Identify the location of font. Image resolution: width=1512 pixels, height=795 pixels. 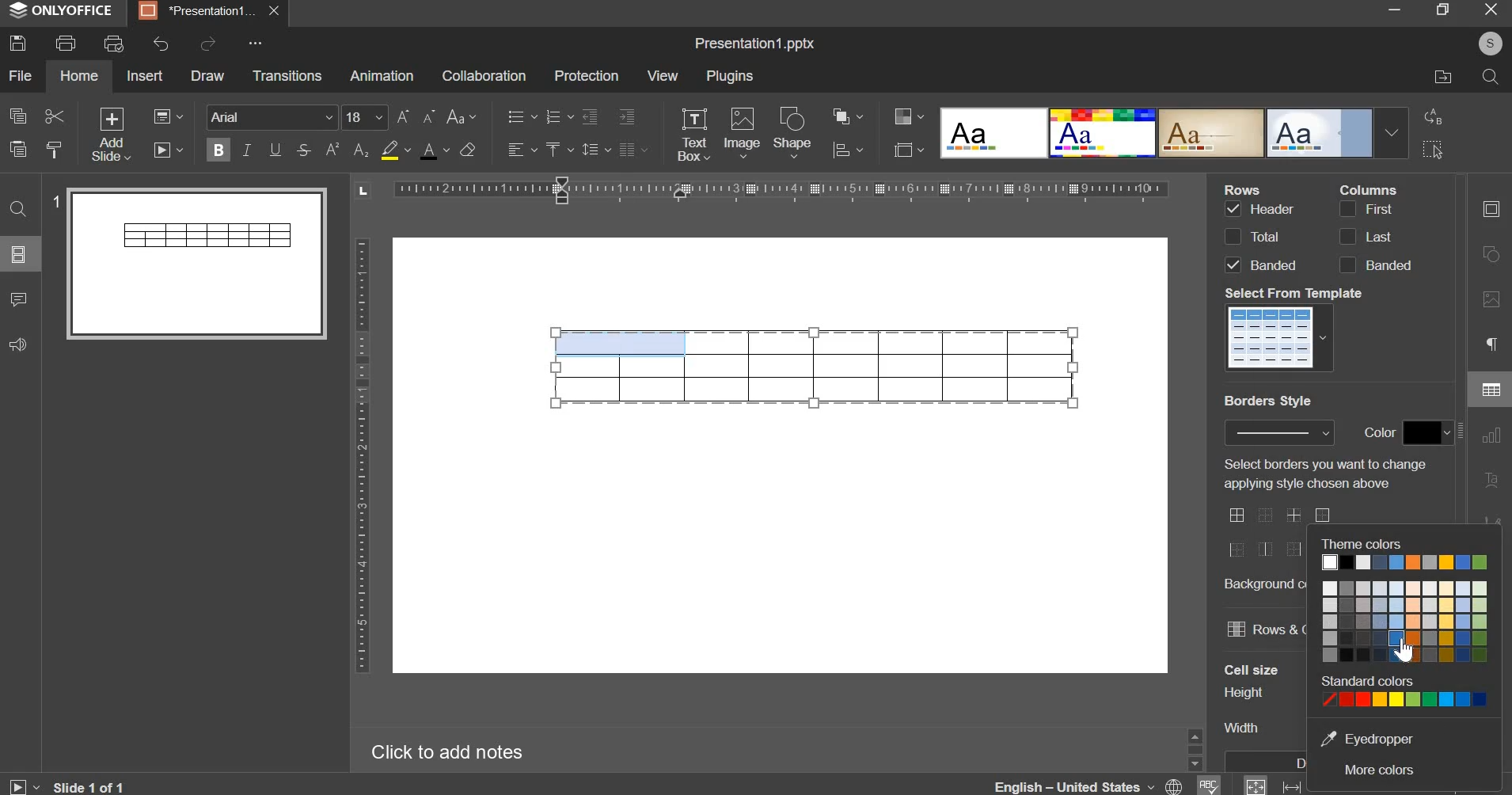
(273, 116).